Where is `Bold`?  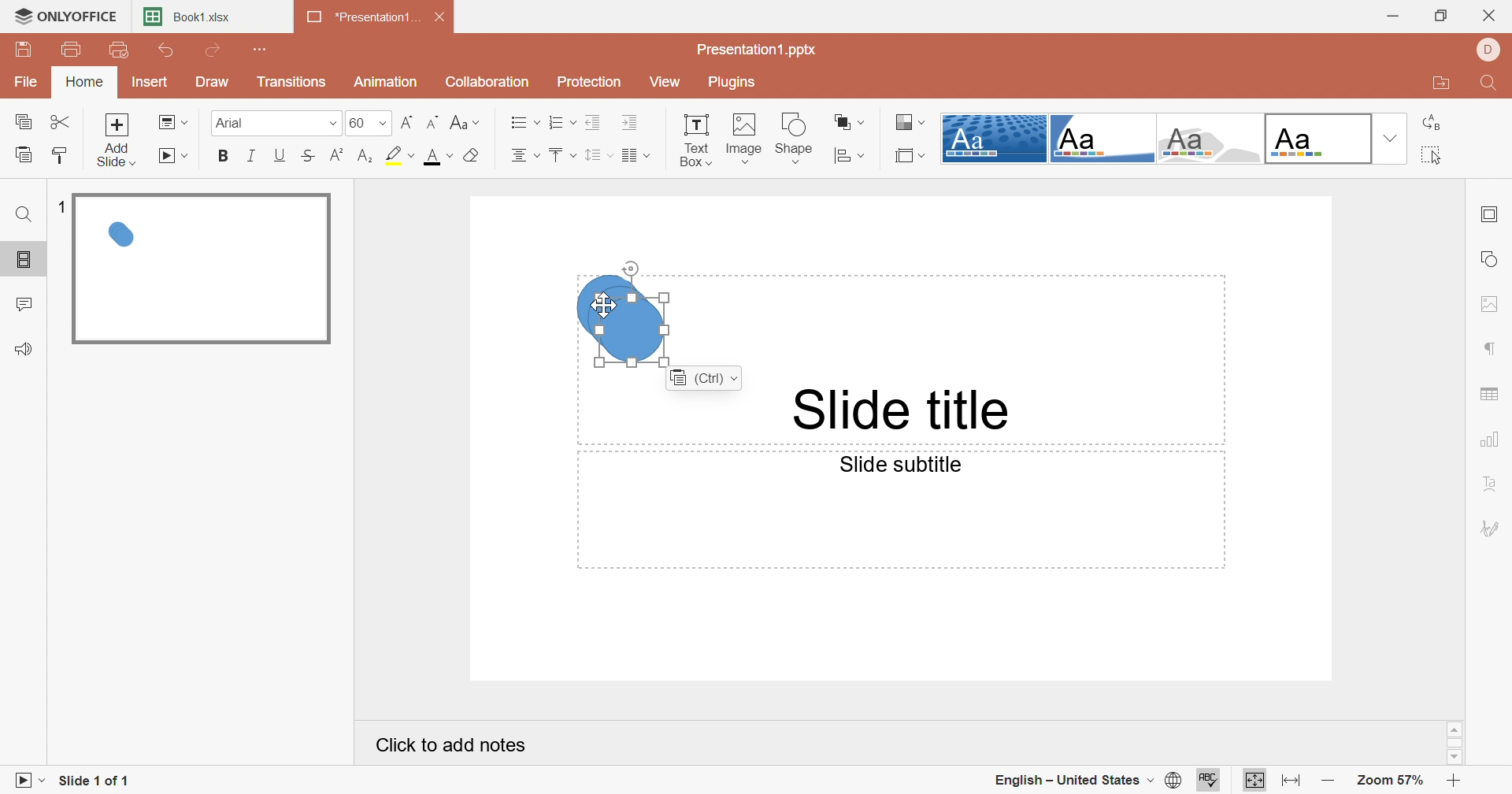
Bold is located at coordinates (225, 155).